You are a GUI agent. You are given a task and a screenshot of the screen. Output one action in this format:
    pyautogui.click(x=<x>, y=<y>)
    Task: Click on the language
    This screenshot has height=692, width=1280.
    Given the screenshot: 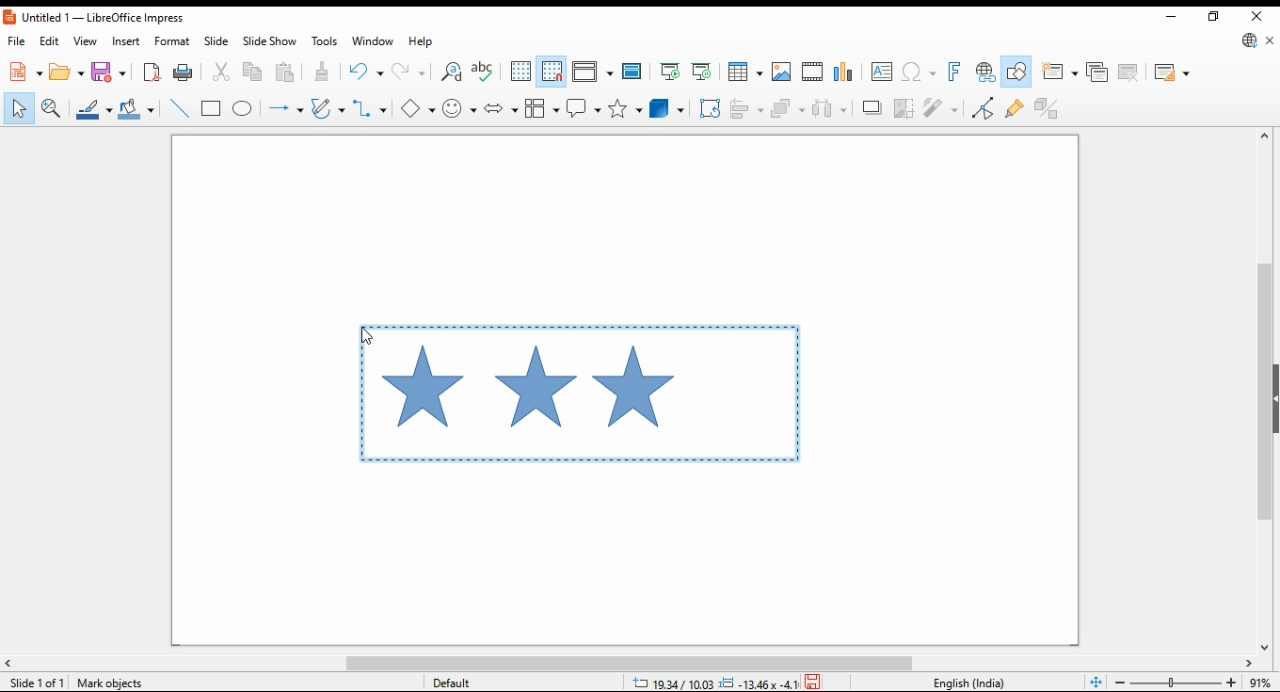 What is the action you would take?
    pyautogui.click(x=974, y=682)
    